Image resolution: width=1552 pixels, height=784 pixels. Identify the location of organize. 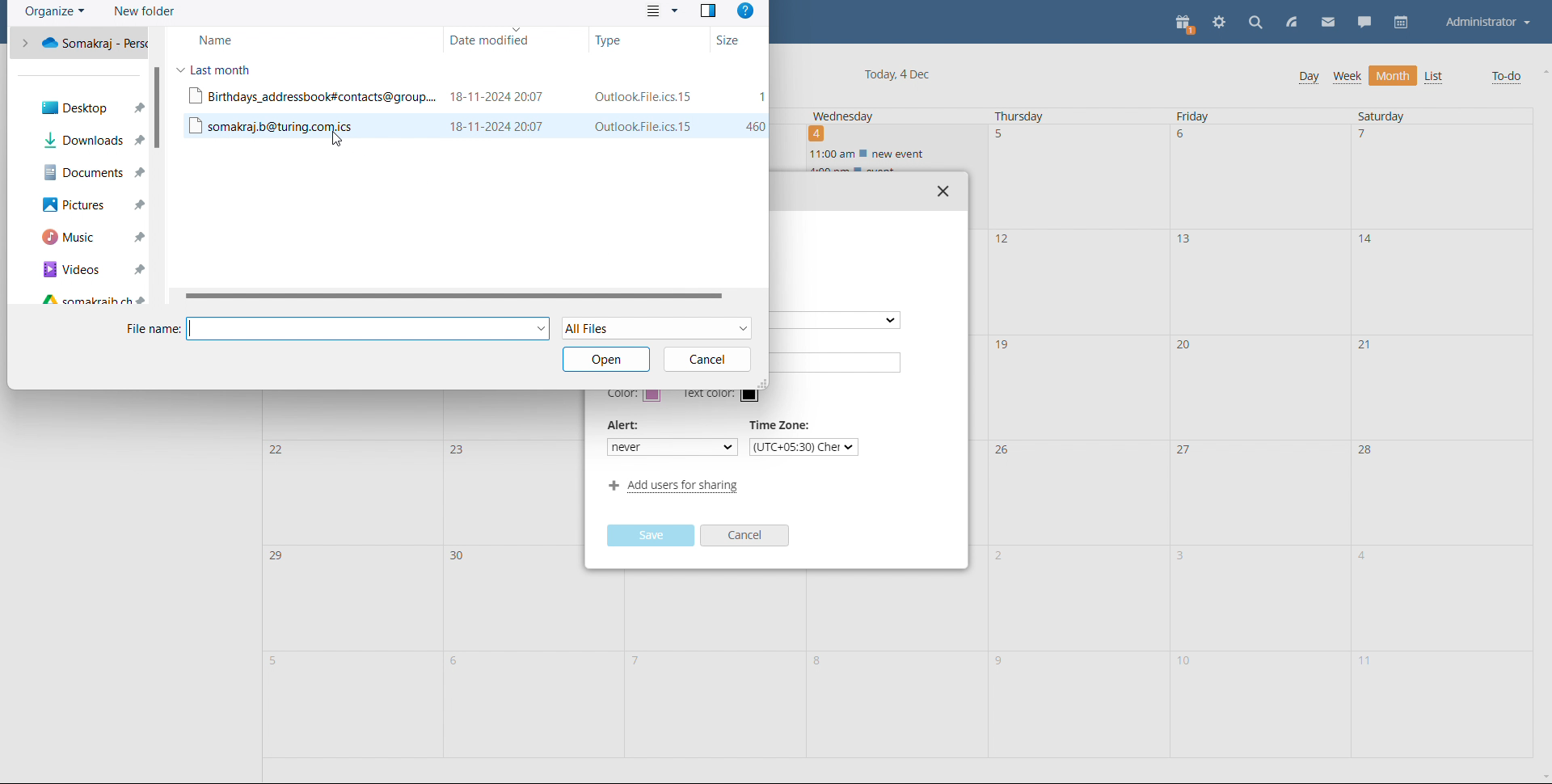
(56, 12).